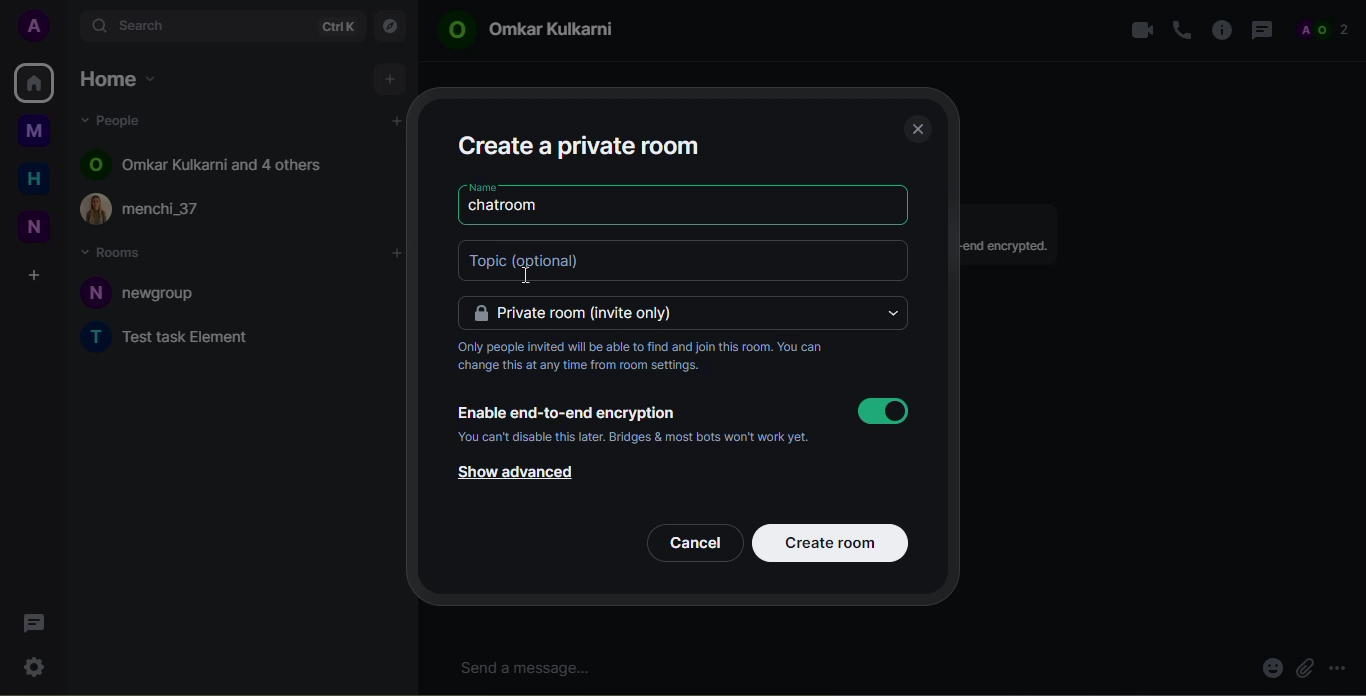 This screenshot has height=696, width=1366. I want to click on N newgroup, so click(151, 292).